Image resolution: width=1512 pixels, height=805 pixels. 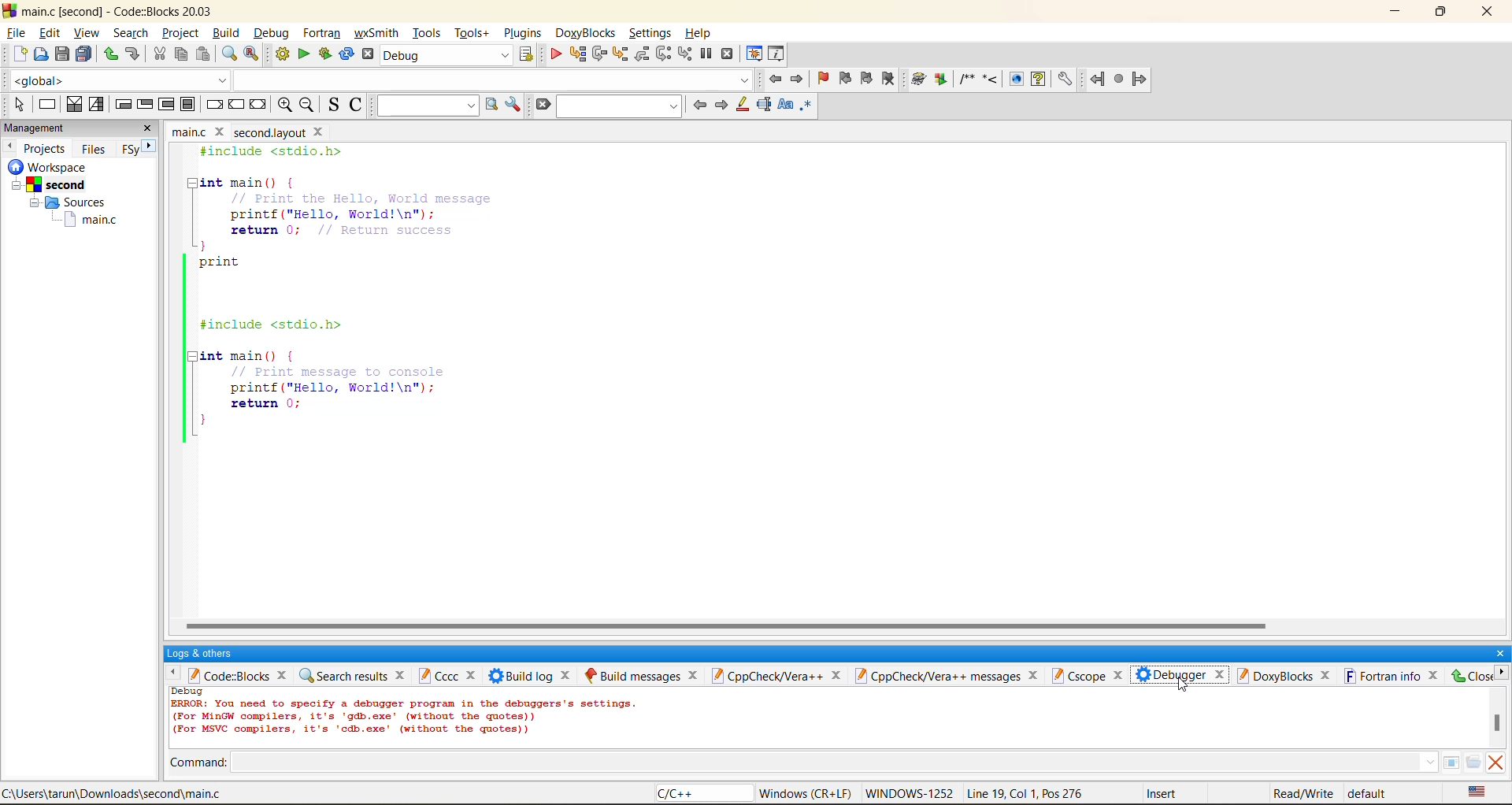 What do you see at coordinates (47, 147) in the screenshot?
I see `projects` at bounding box center [47, 147].